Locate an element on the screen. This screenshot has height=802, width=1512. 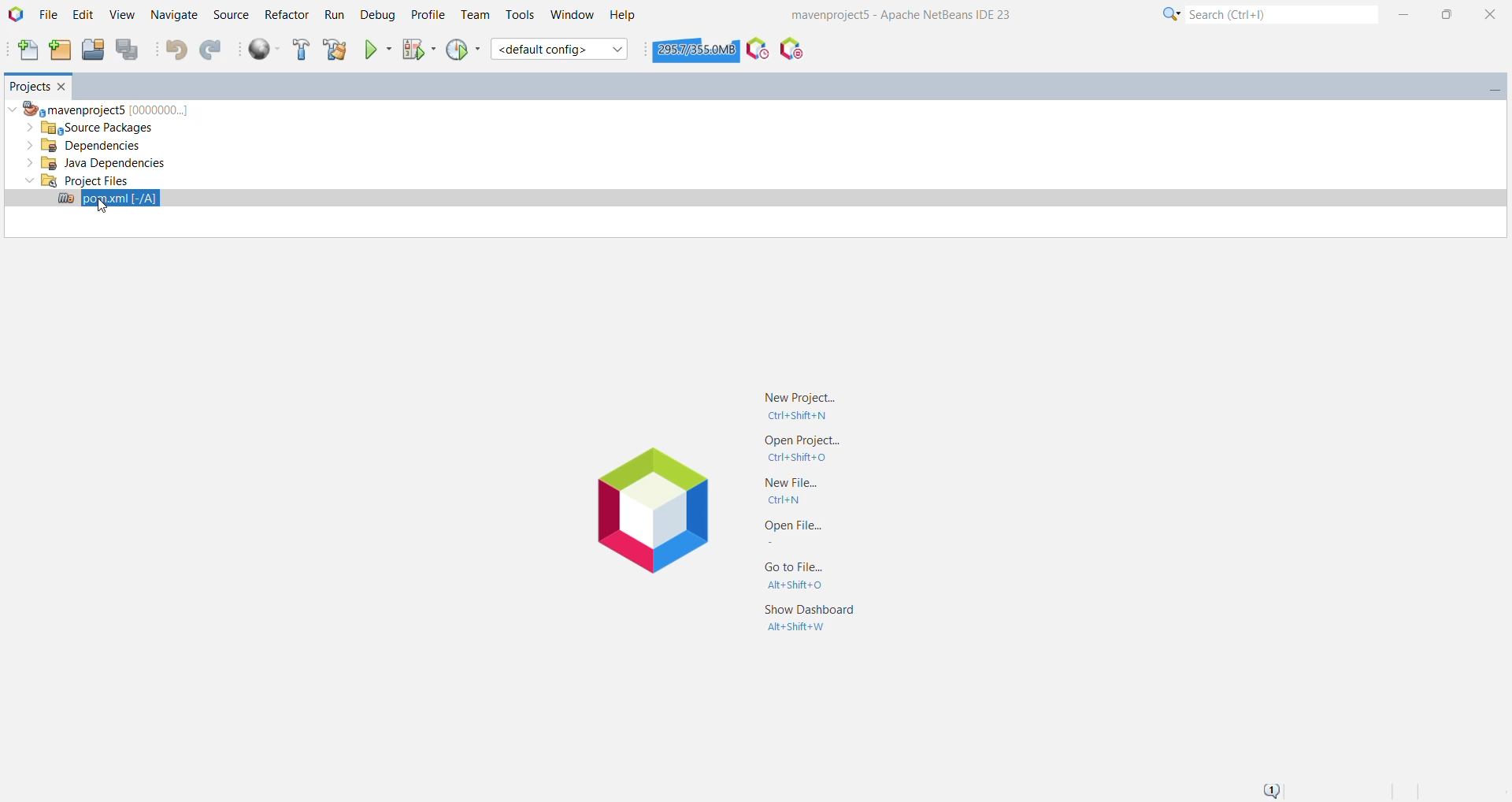
Profile the IDE is located at coordinates (758, 48).